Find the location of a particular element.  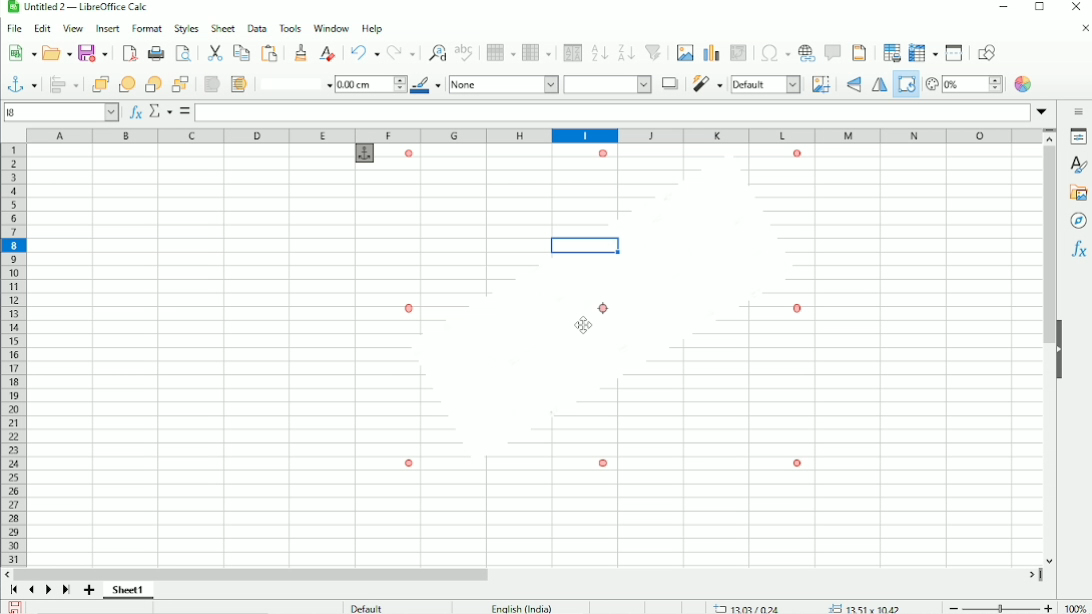

Save is located at coordinates (93, 53).